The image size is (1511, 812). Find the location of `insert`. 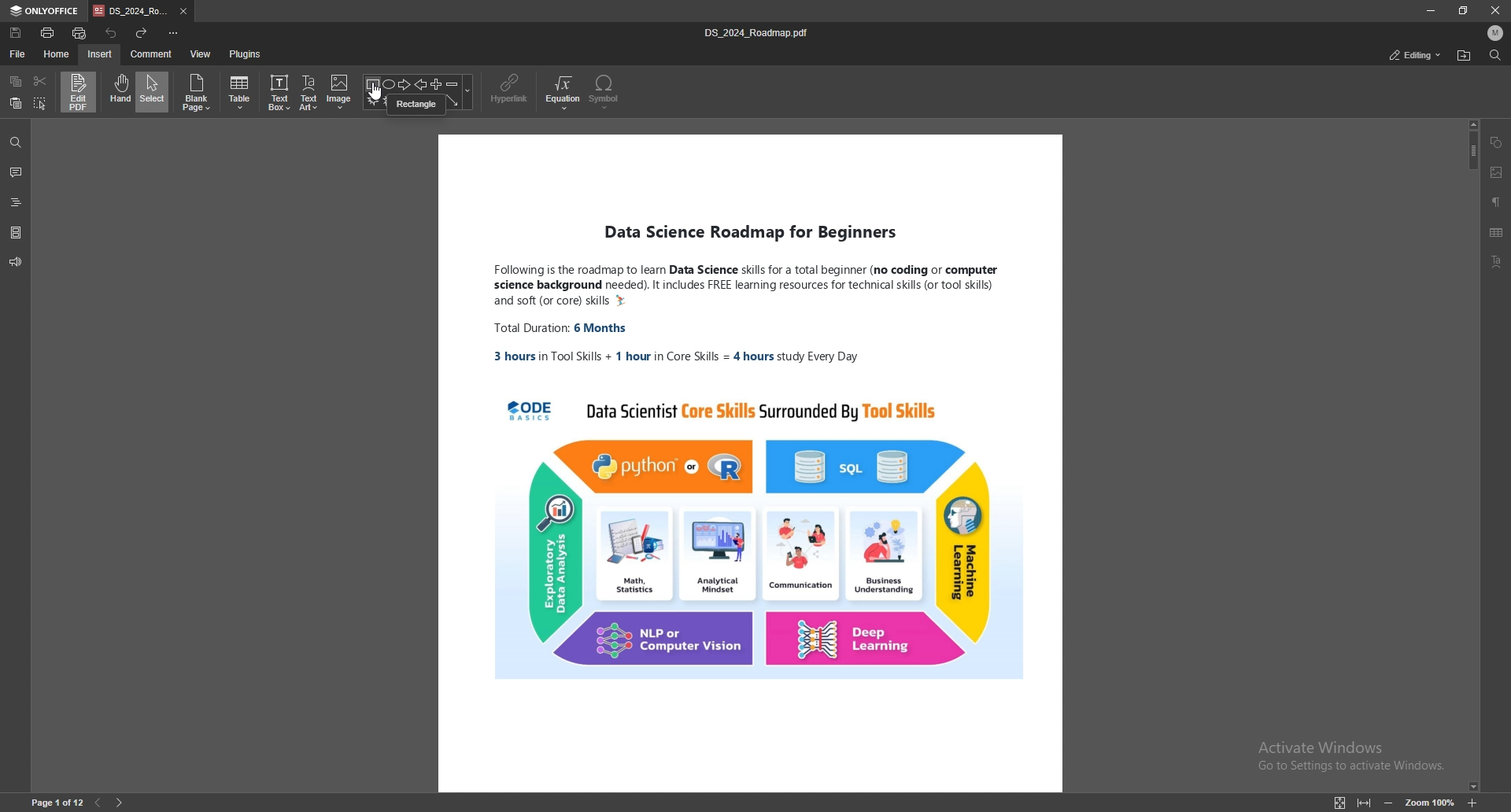

insert is located at coordinates (99, 55).